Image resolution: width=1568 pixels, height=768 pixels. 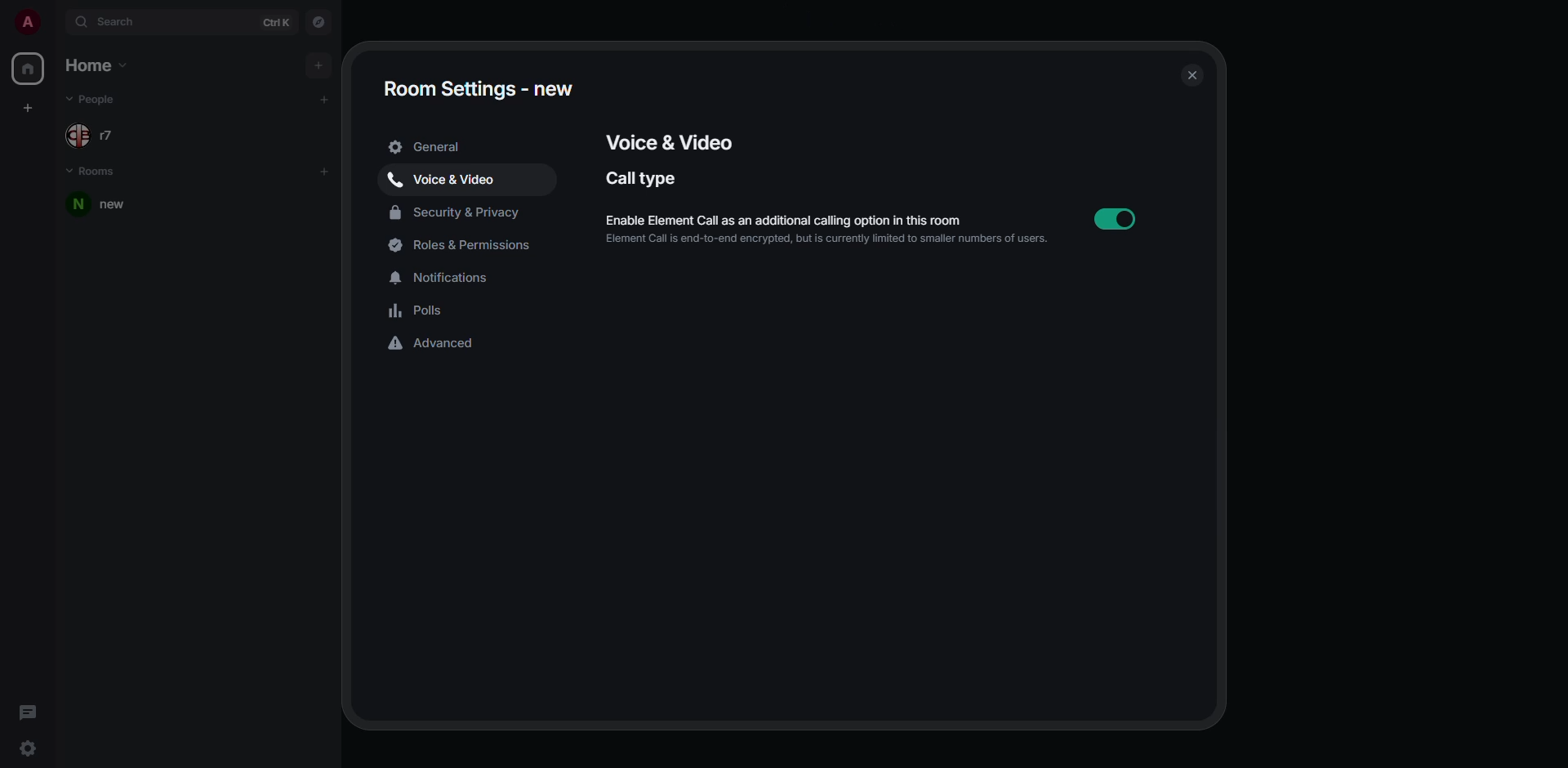 I want to click on room, so click(x=108, y=205).